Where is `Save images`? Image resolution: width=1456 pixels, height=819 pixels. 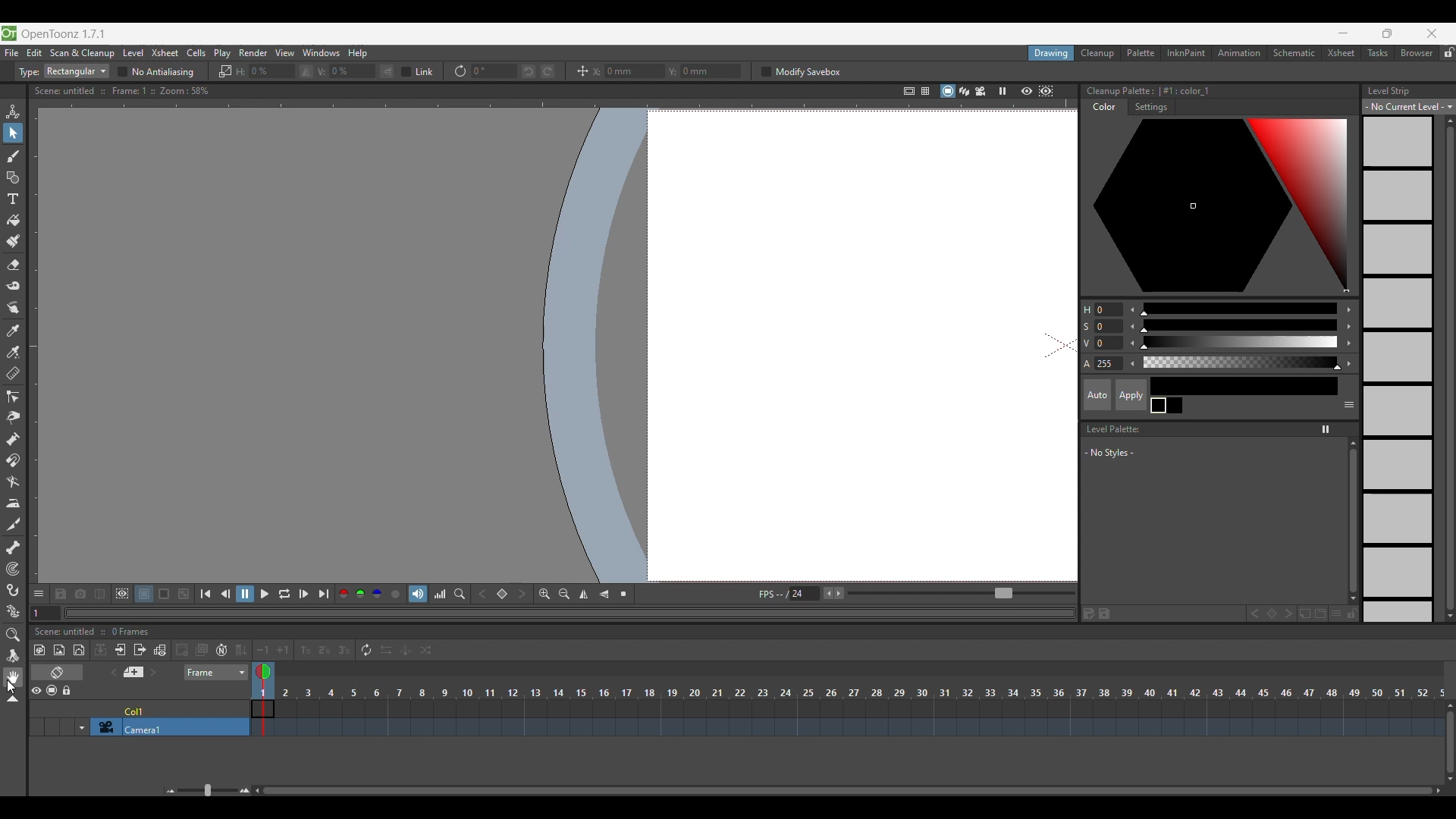 Save images is located at coordinates (60, 594).